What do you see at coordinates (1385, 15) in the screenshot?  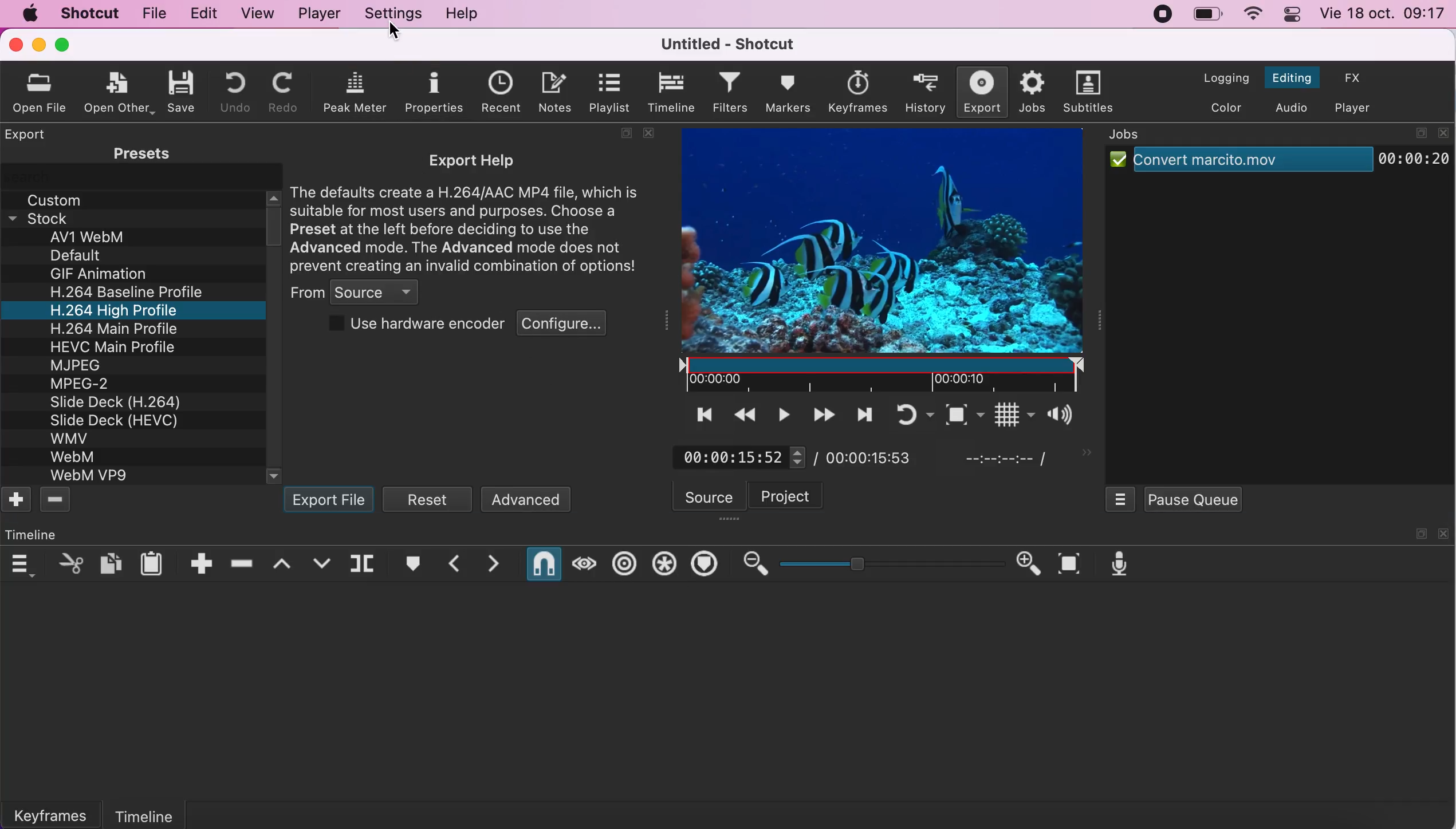 I see `time and date` at bounding box center [1385, 15].